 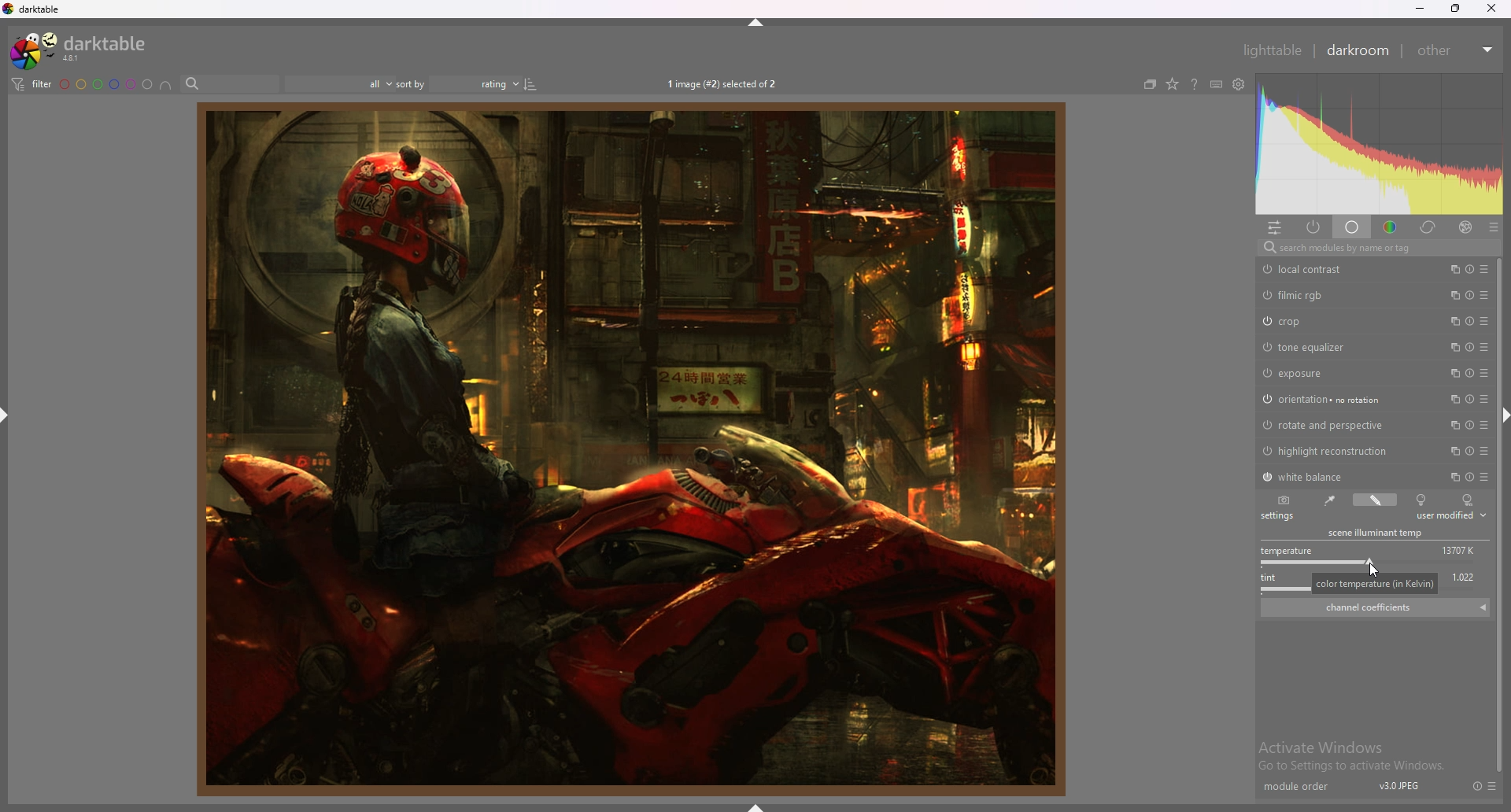 What do you see at coordinates (1359, 50) in the screenshot?
I see `darkroom` at bounding box center [1359, 50].